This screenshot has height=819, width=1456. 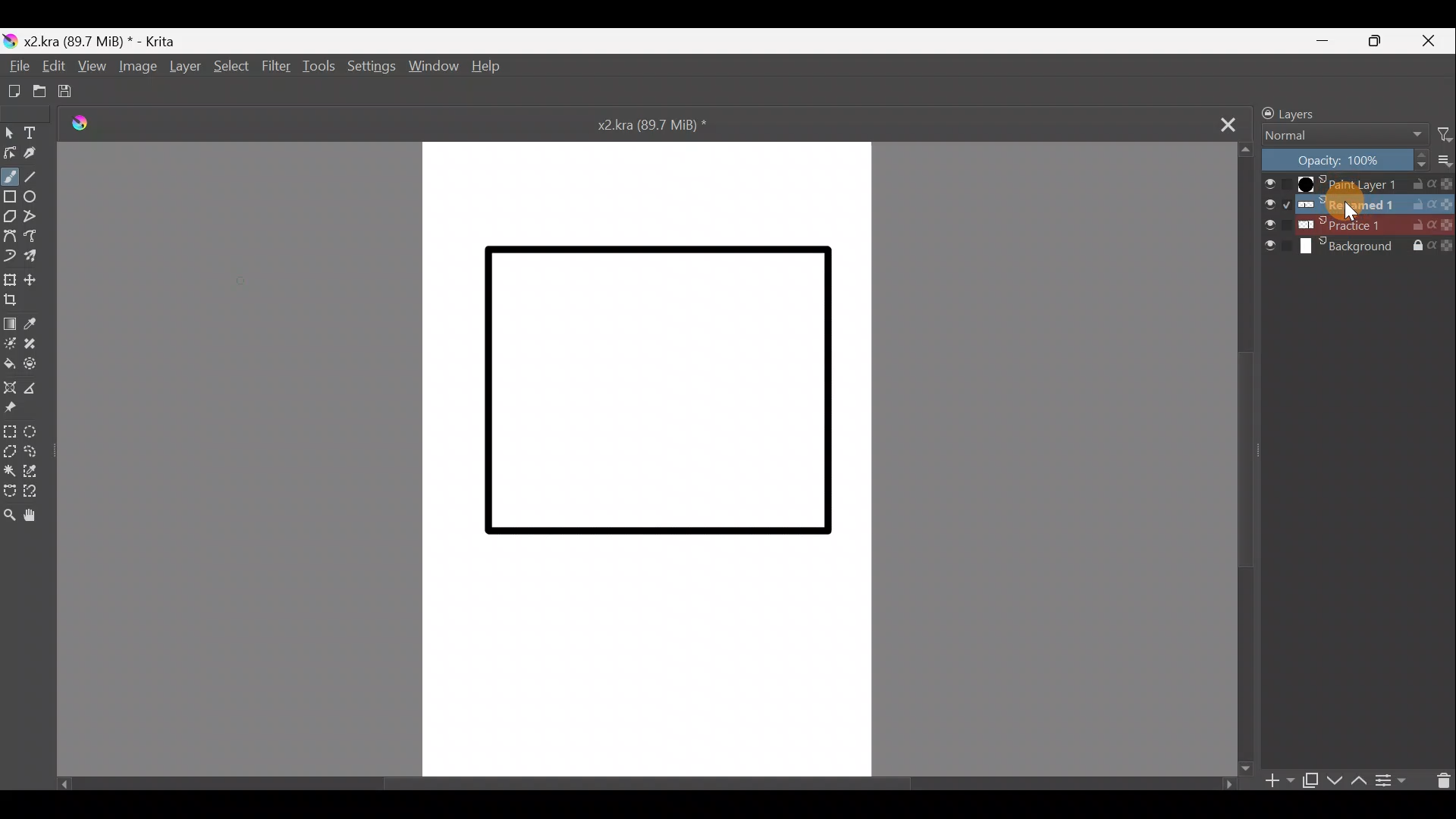 I want to click on File, so click(x=14, y=66).